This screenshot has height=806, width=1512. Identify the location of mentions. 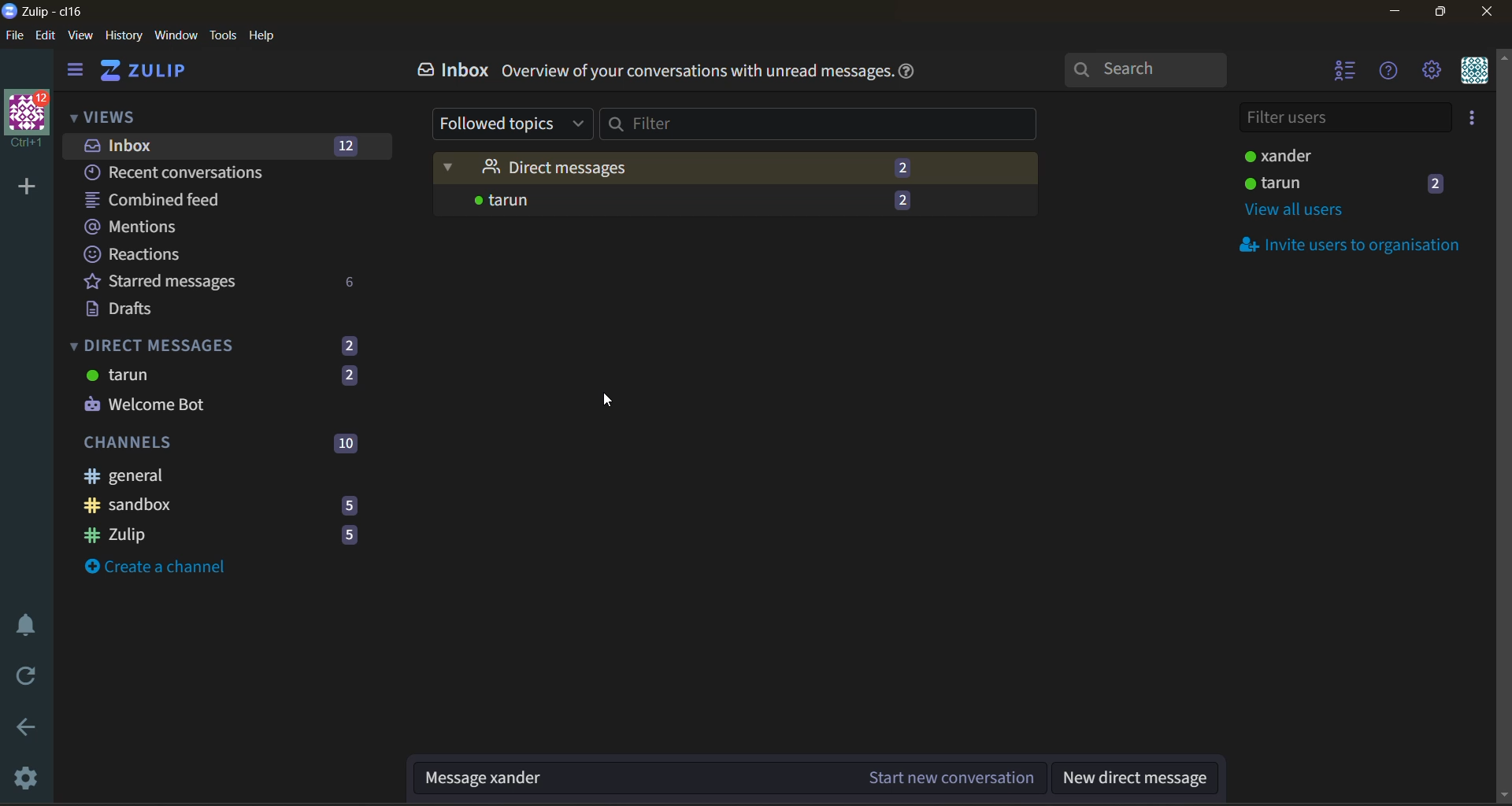
(143, 228).